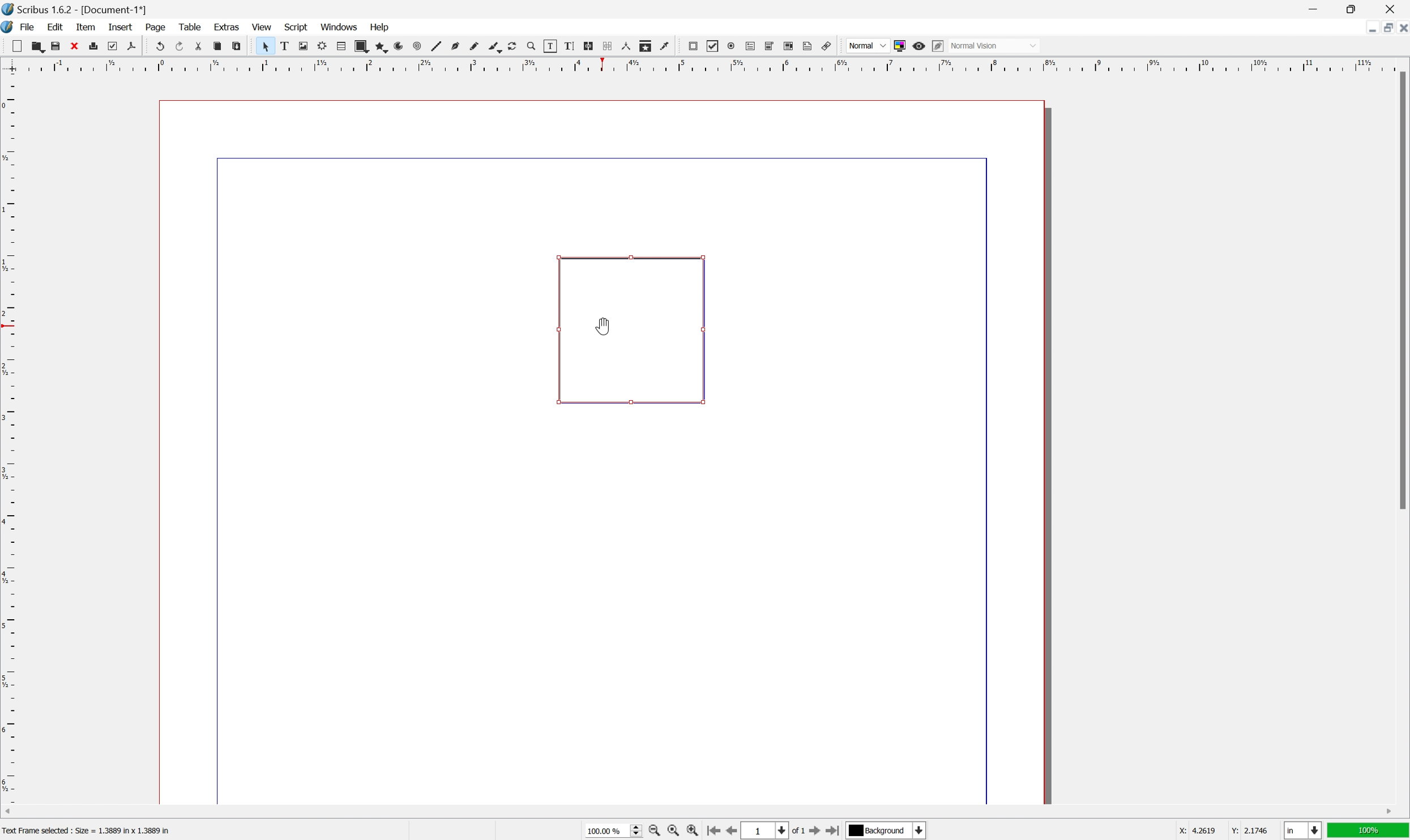 This screenshot has height=840, width=1410. I want to click on Script, so click(297, 26).